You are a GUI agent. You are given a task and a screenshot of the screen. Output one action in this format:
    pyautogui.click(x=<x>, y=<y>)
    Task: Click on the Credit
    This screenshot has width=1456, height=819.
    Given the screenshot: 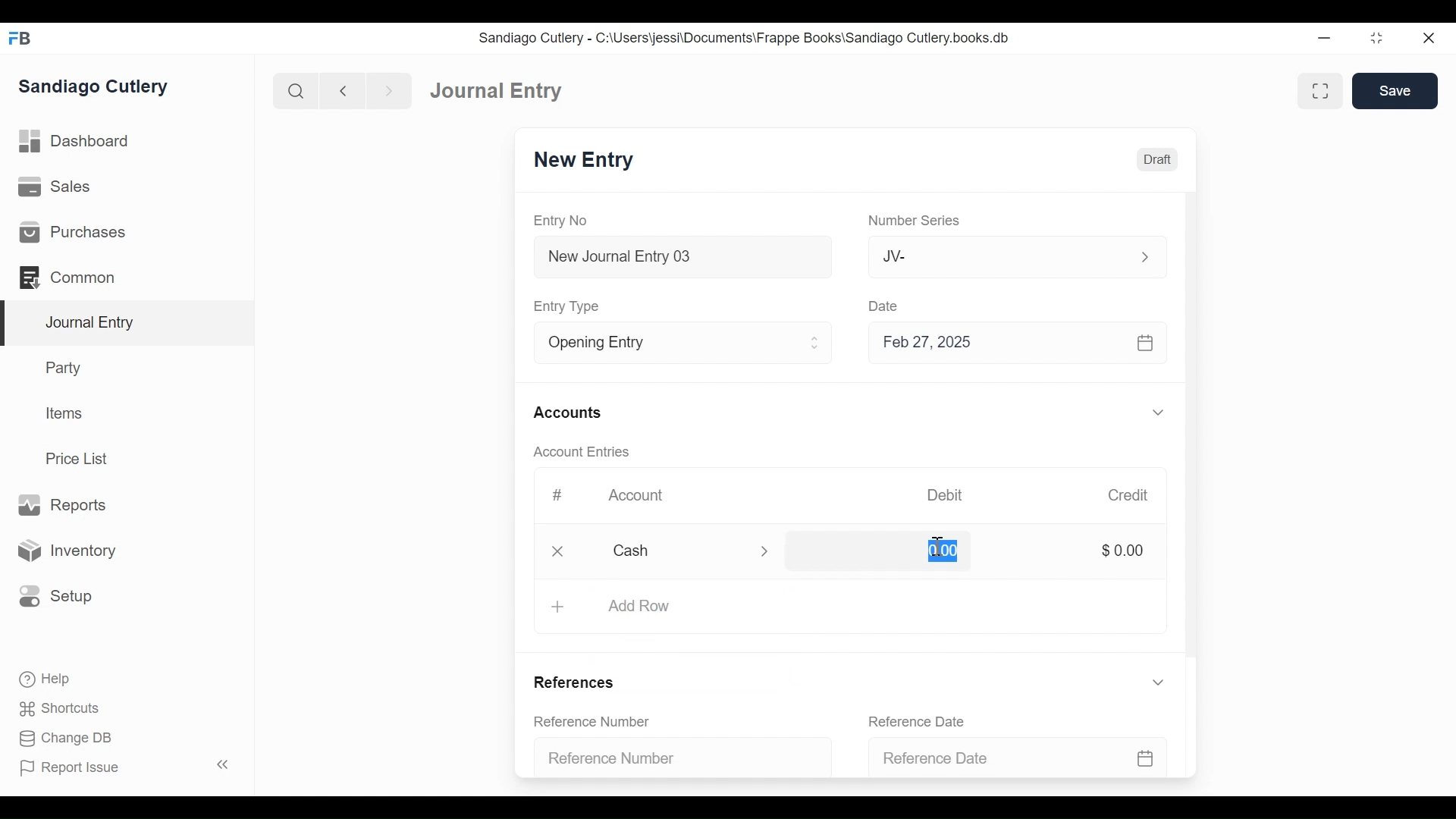 What is the action you would take?
    pyautogui.click(x=1130, y=495)
    